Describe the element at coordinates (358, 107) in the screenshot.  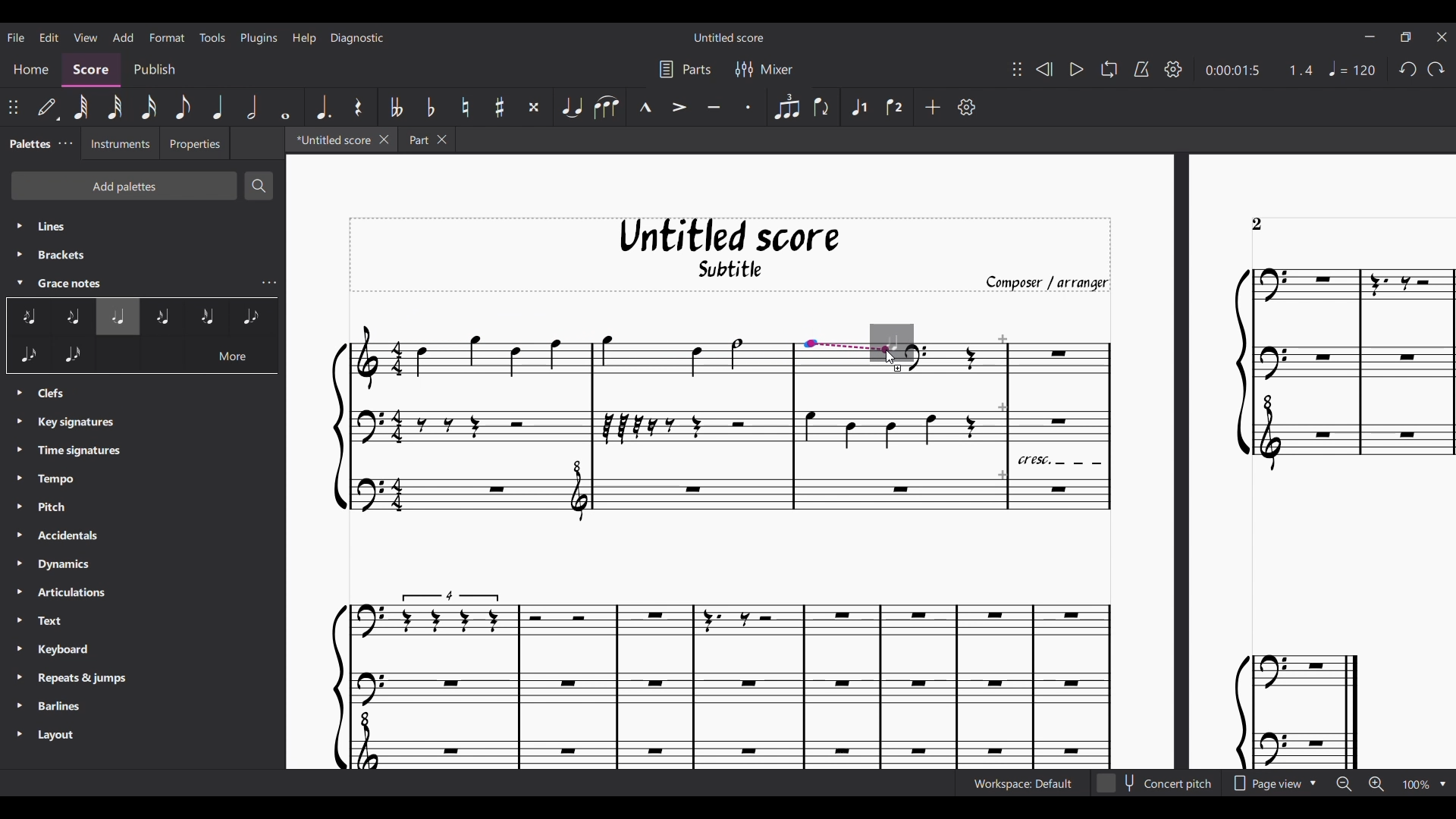
I see `Rest` at that location.